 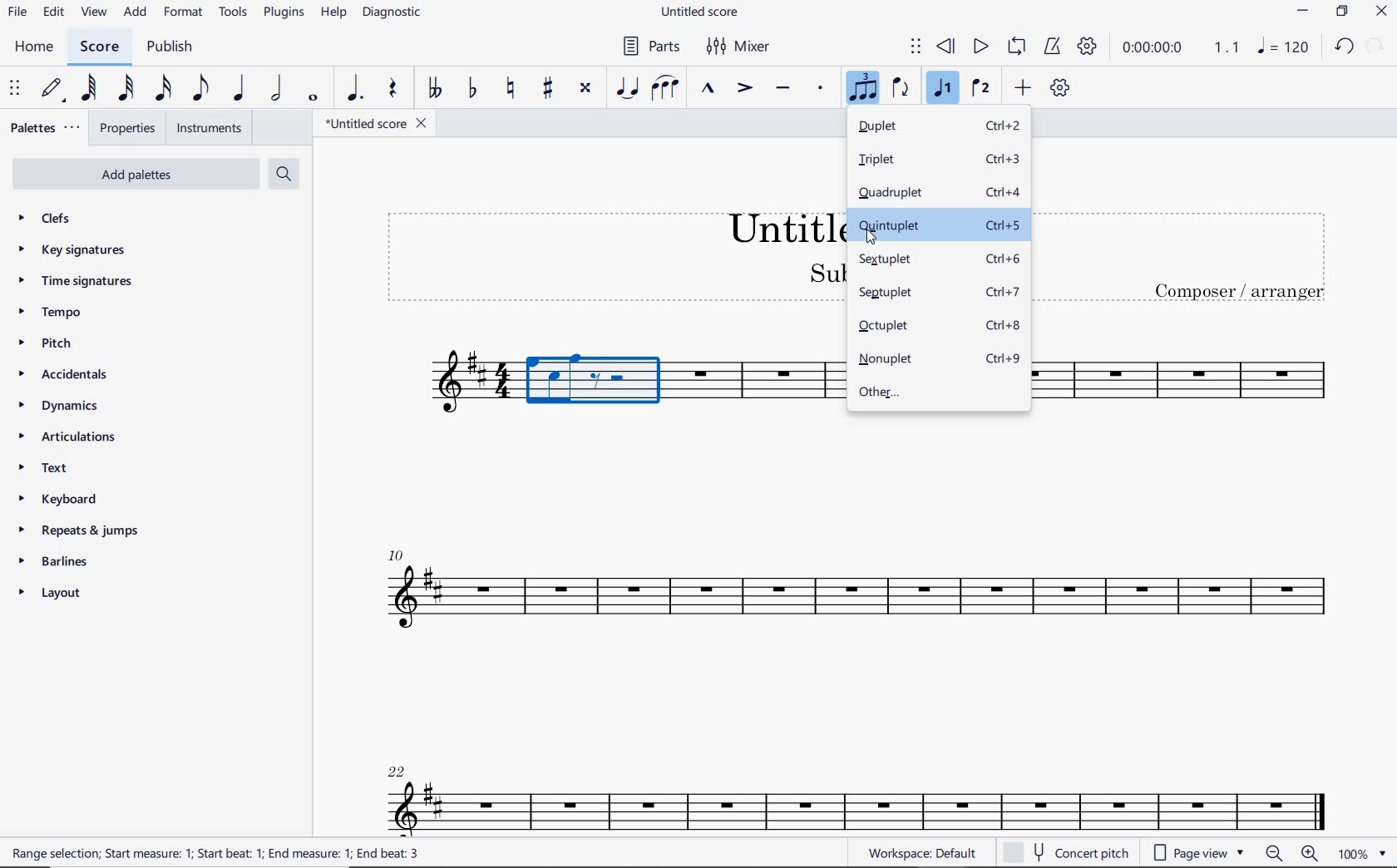 What do you see at coordinates (939, 160) in the screenshot?
I see `triplet` at bounding box center [939, 160].